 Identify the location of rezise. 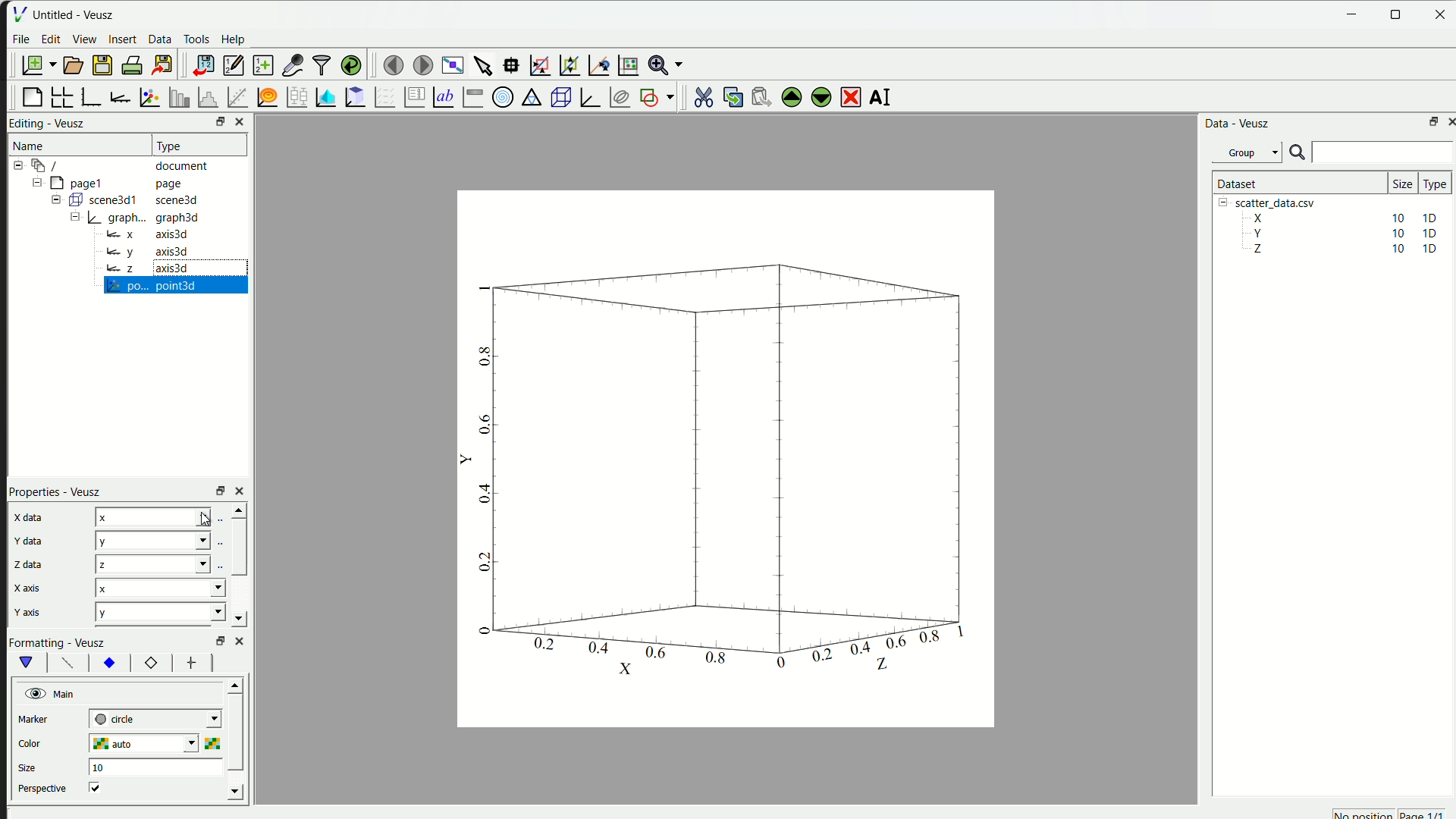
(218, 490).